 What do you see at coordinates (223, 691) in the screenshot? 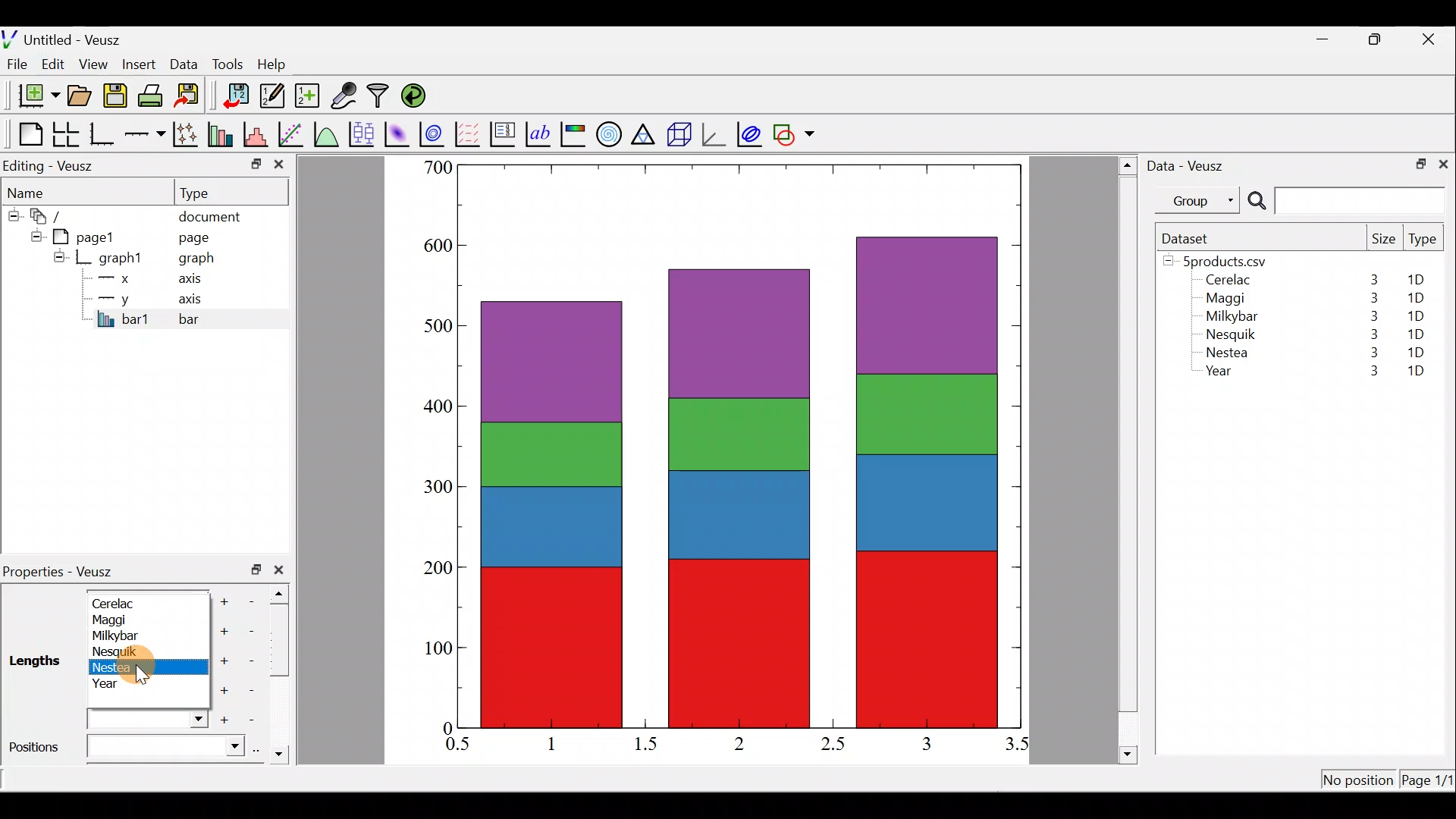
I see `Add another item` at bounding box center [223, 691].